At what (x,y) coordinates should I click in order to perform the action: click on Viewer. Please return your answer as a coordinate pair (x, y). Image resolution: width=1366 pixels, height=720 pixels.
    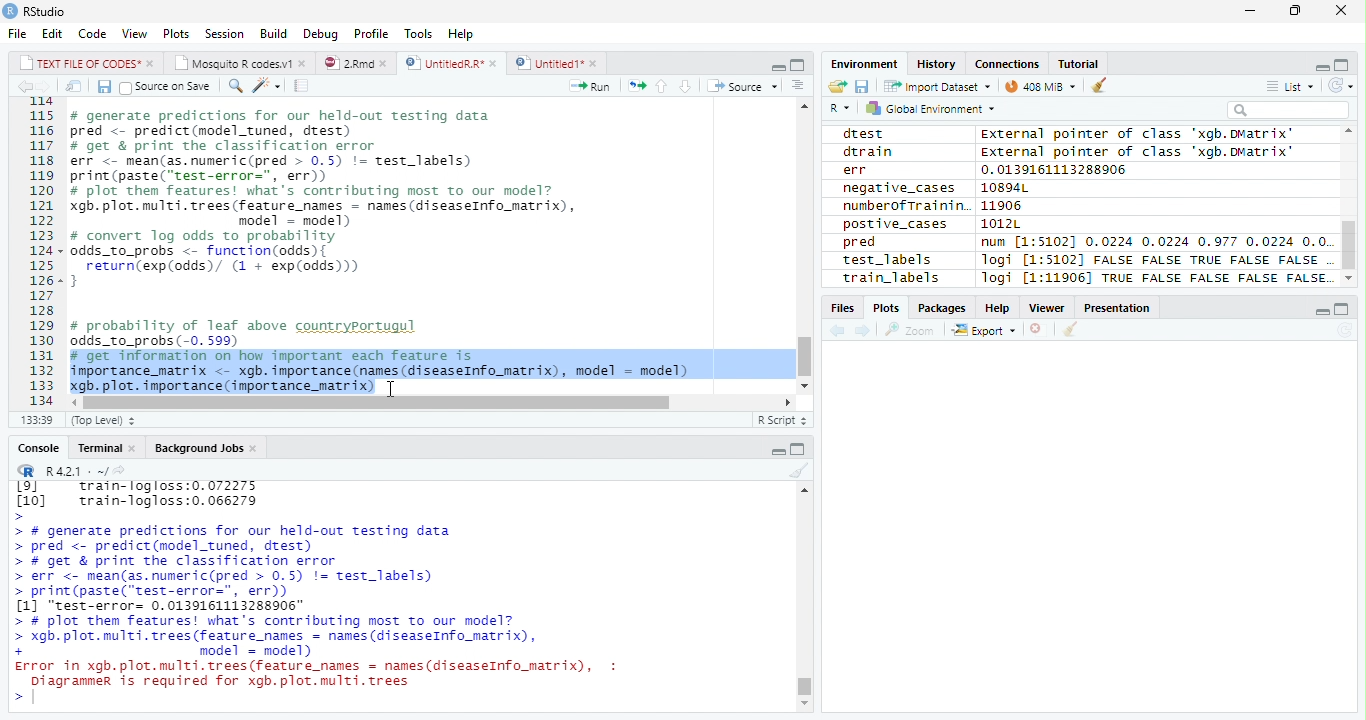
    Looking at the image, I should click on (1049, 307).